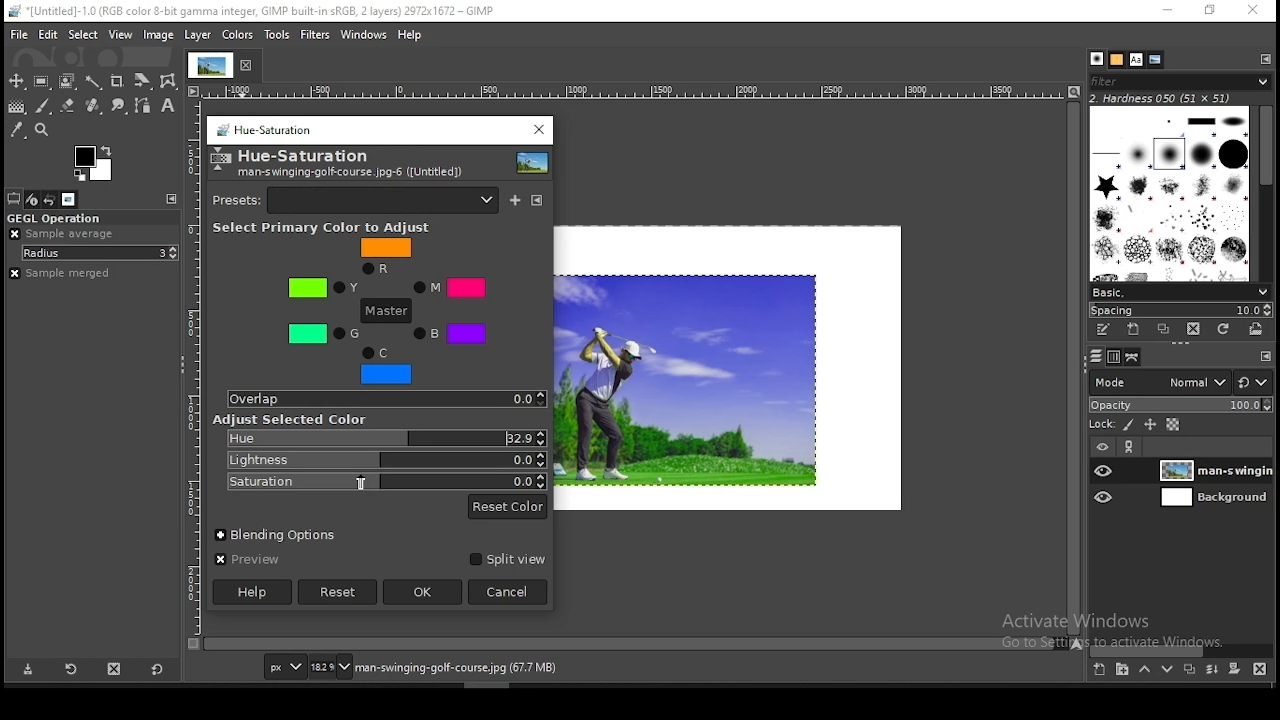 Image resolution: width=1280 pixels, height=720 pixels. Describe the element at coordinates (95, 161) in the screenshot. I see `colors` at that location.